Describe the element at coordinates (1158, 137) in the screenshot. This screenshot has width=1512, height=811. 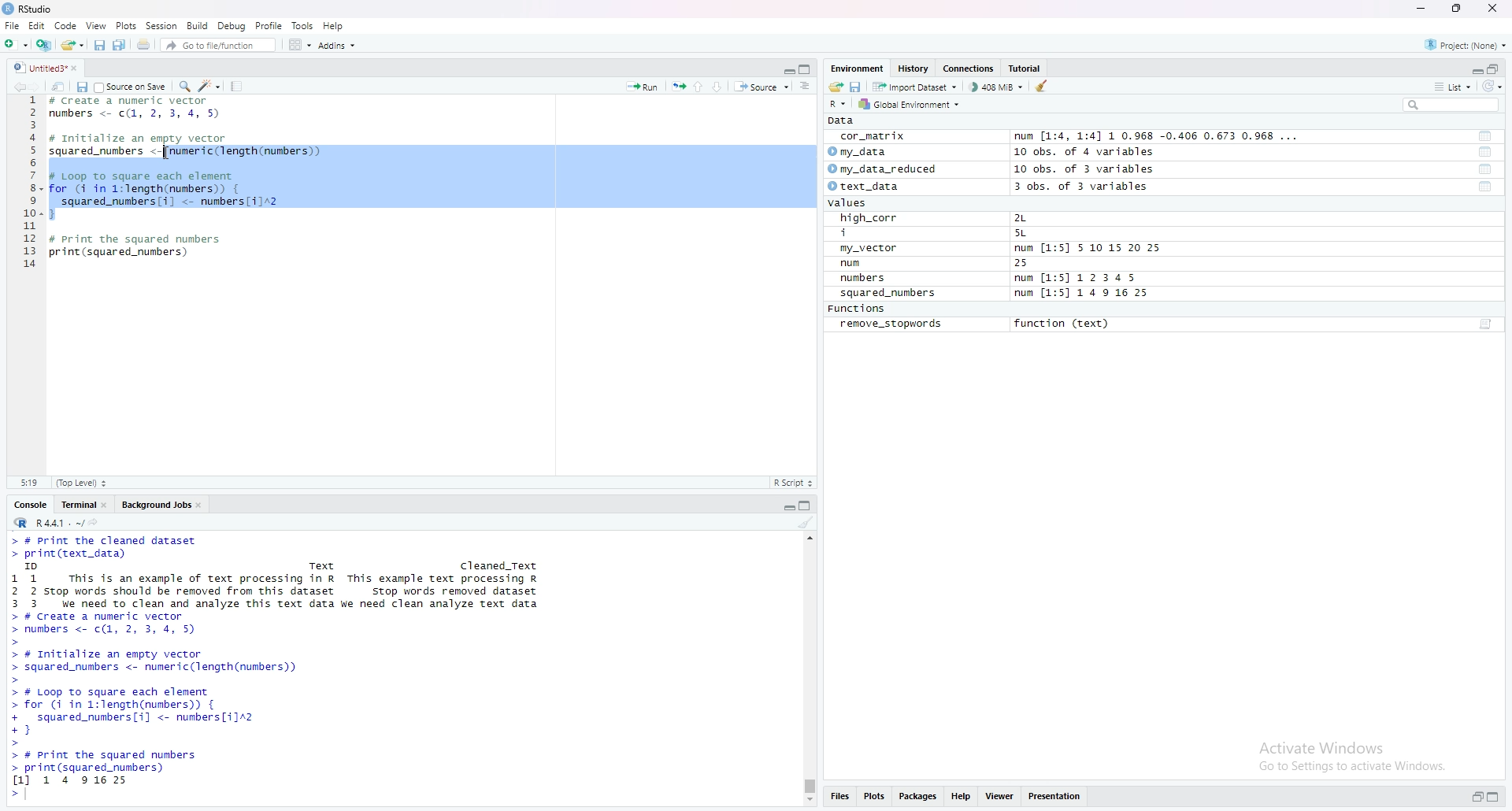
I see `num [1:4, 1:4] 1 0.968 -0.406 0.673 0.968 ...` at that location.